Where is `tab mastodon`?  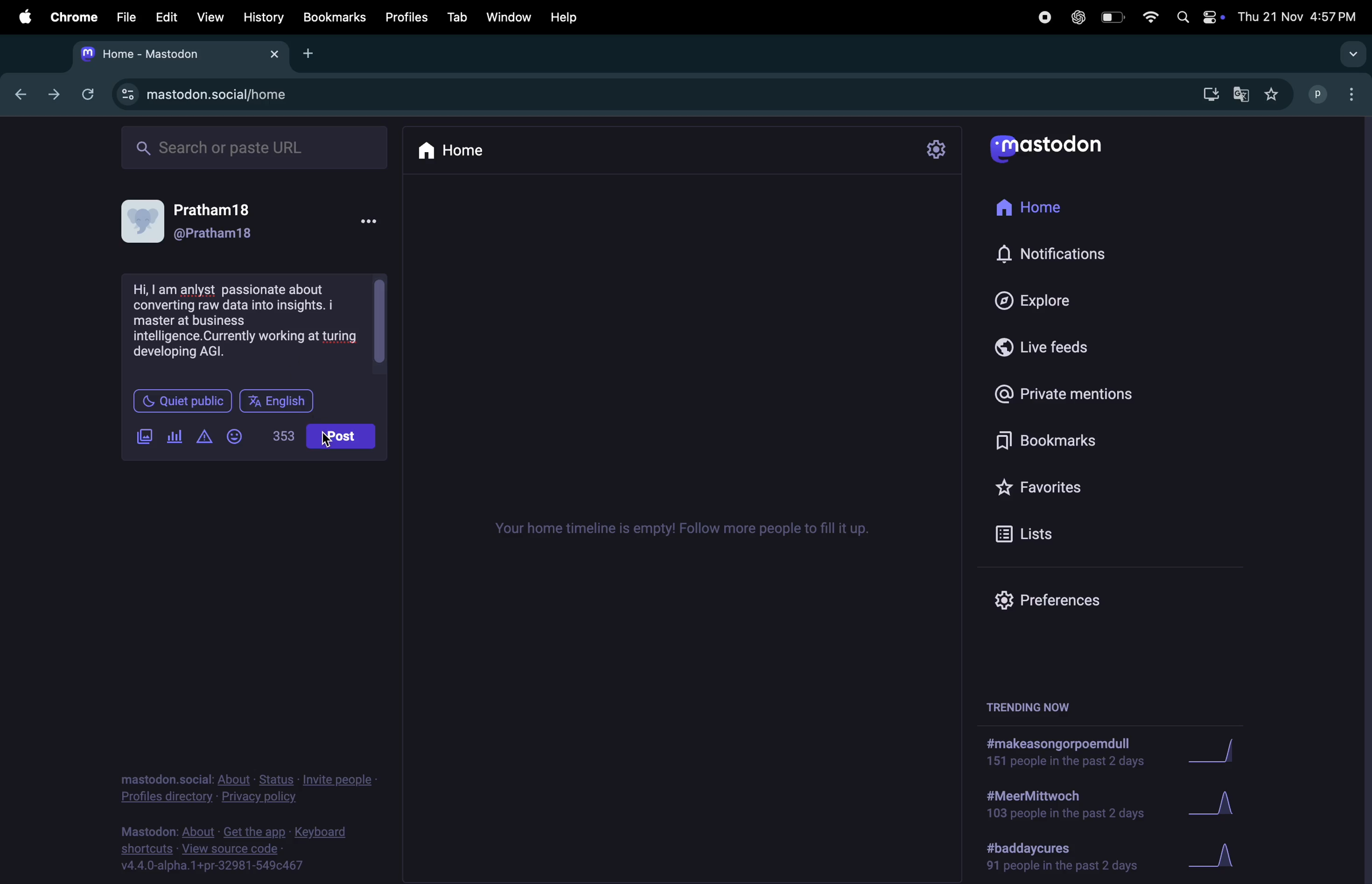
tab mastodon is located at coordinates (180, 55).